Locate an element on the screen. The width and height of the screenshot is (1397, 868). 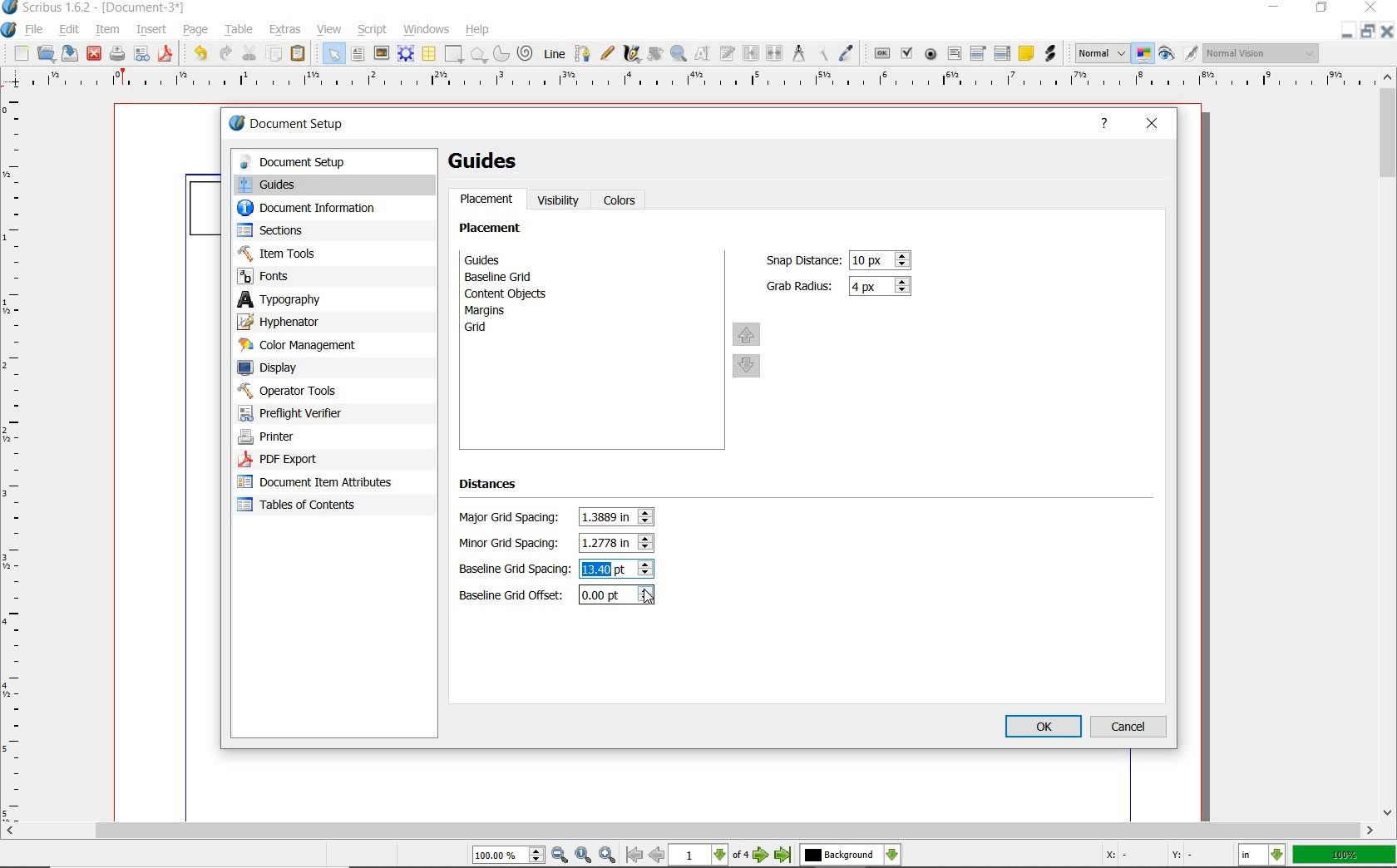
link text frames is located at coordinates (751, 53).